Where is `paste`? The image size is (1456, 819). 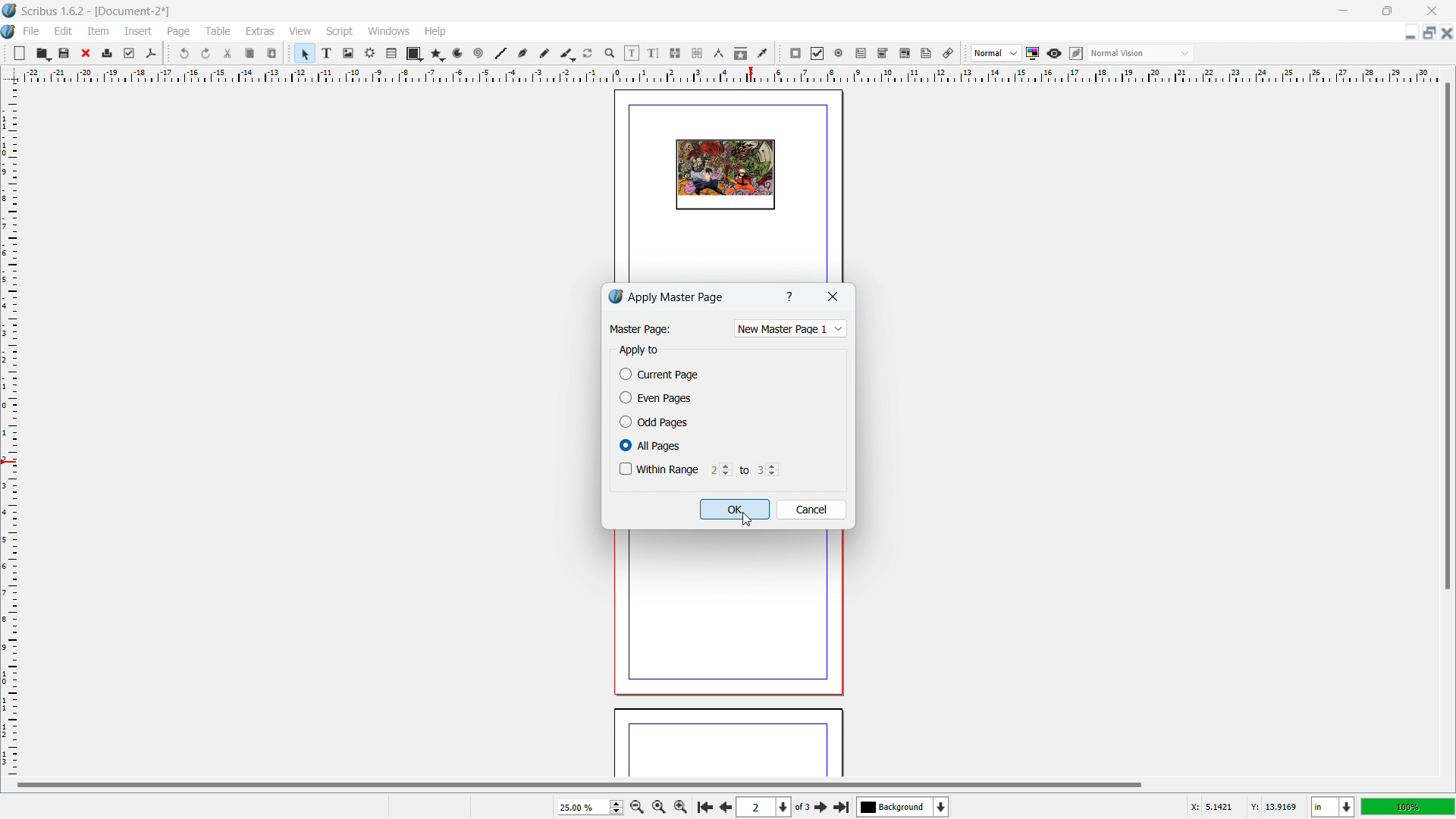 paste is located at coordinates (272, 53).